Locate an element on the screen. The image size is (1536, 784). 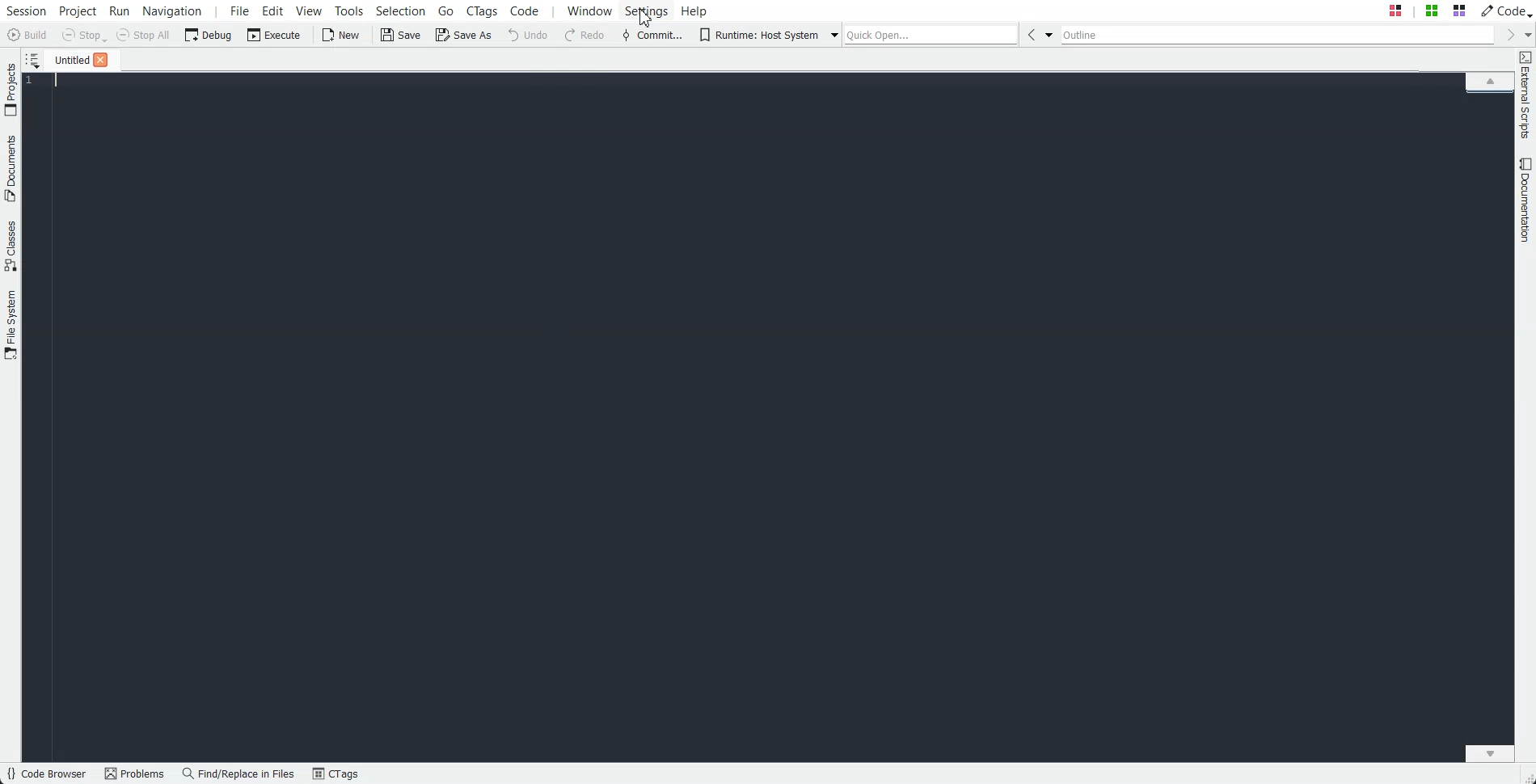
Text Cursor is located at coordinates (58, 81).